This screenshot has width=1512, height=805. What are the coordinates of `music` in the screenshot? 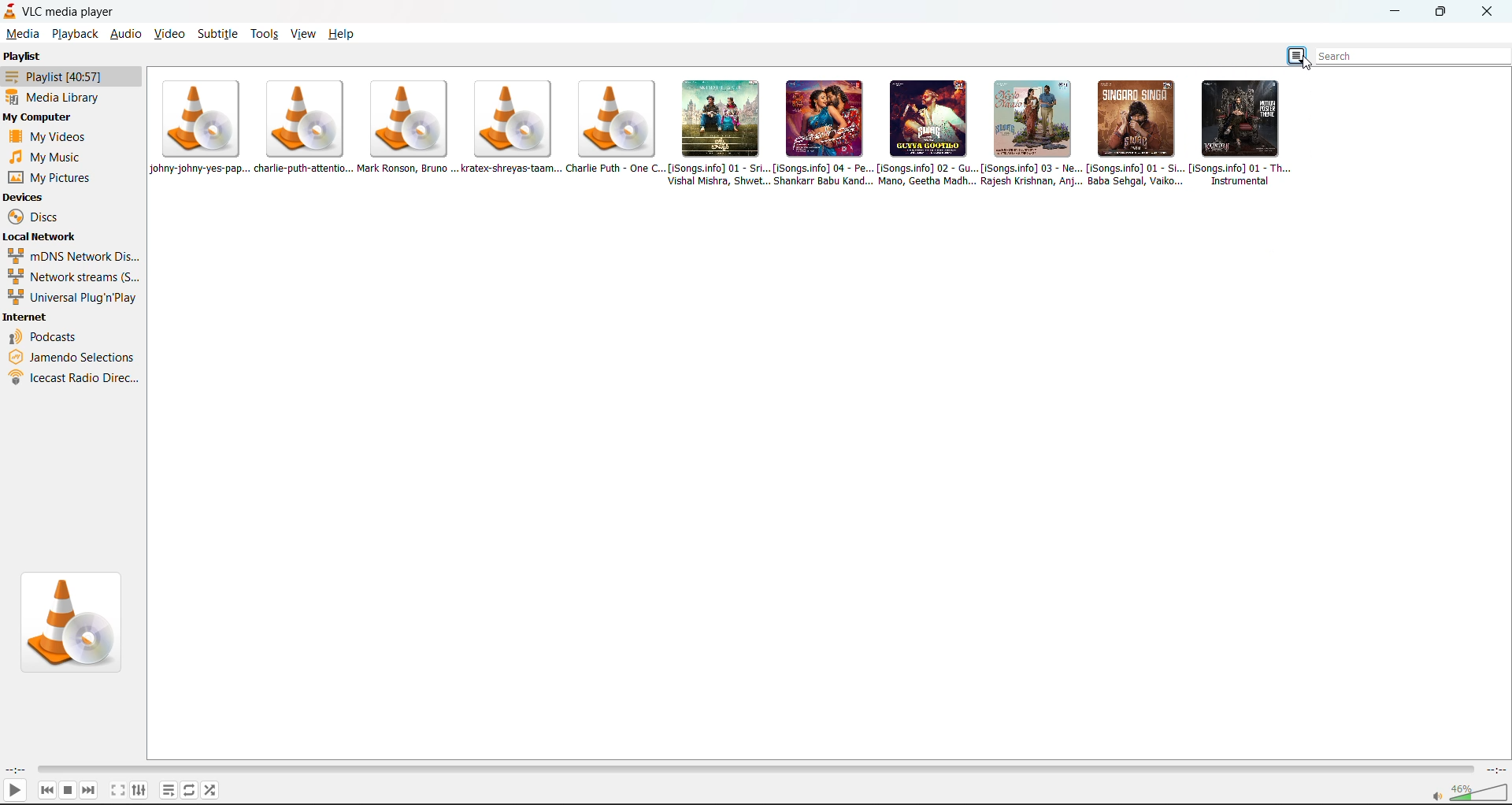 It's located at (54, 158).